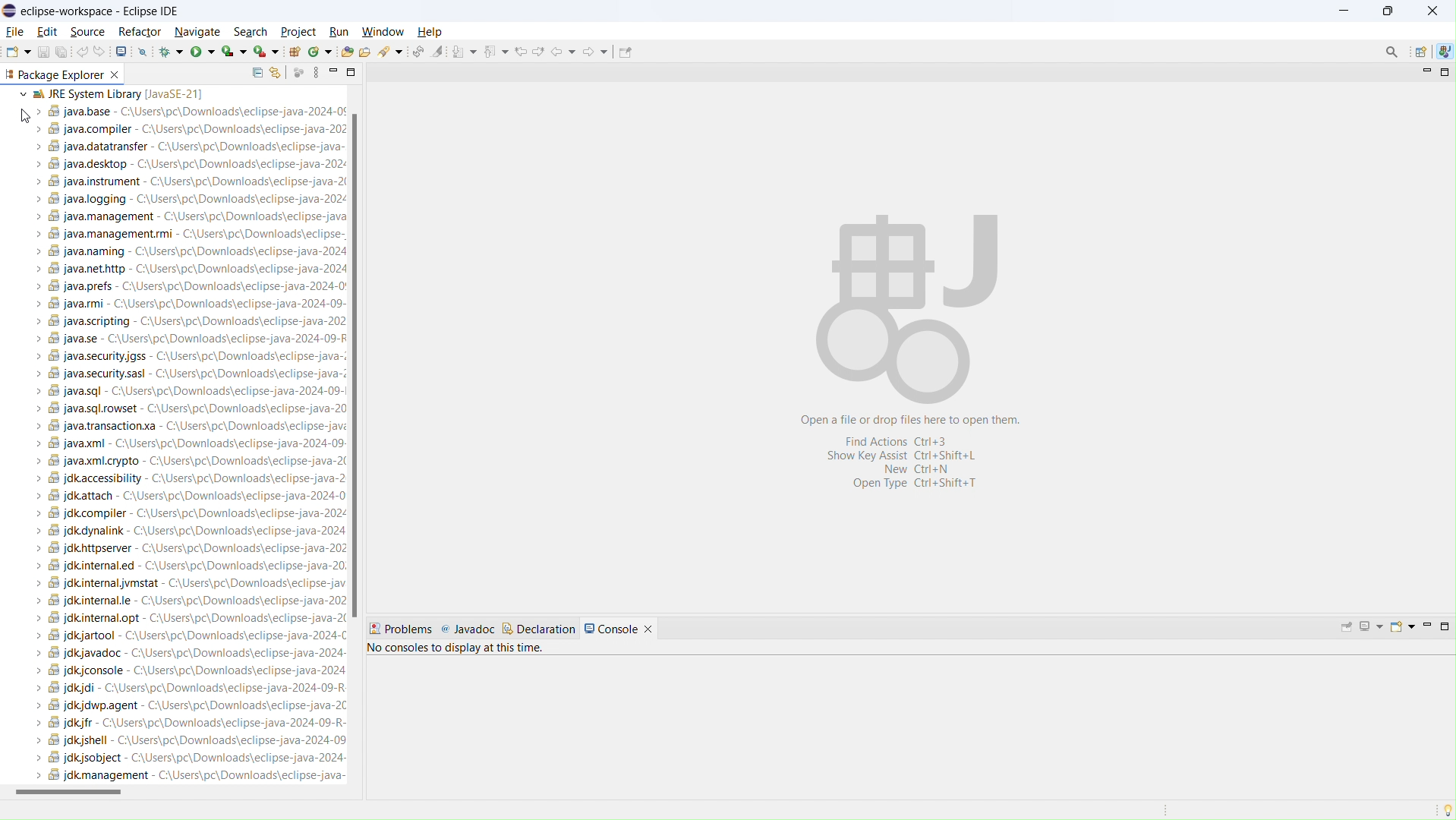 The height and width of the screenshot is (820, 1456). What do you see at coordinates (348, 51) in the screenshot?
I see `open file` at bounding box center [348, 51].